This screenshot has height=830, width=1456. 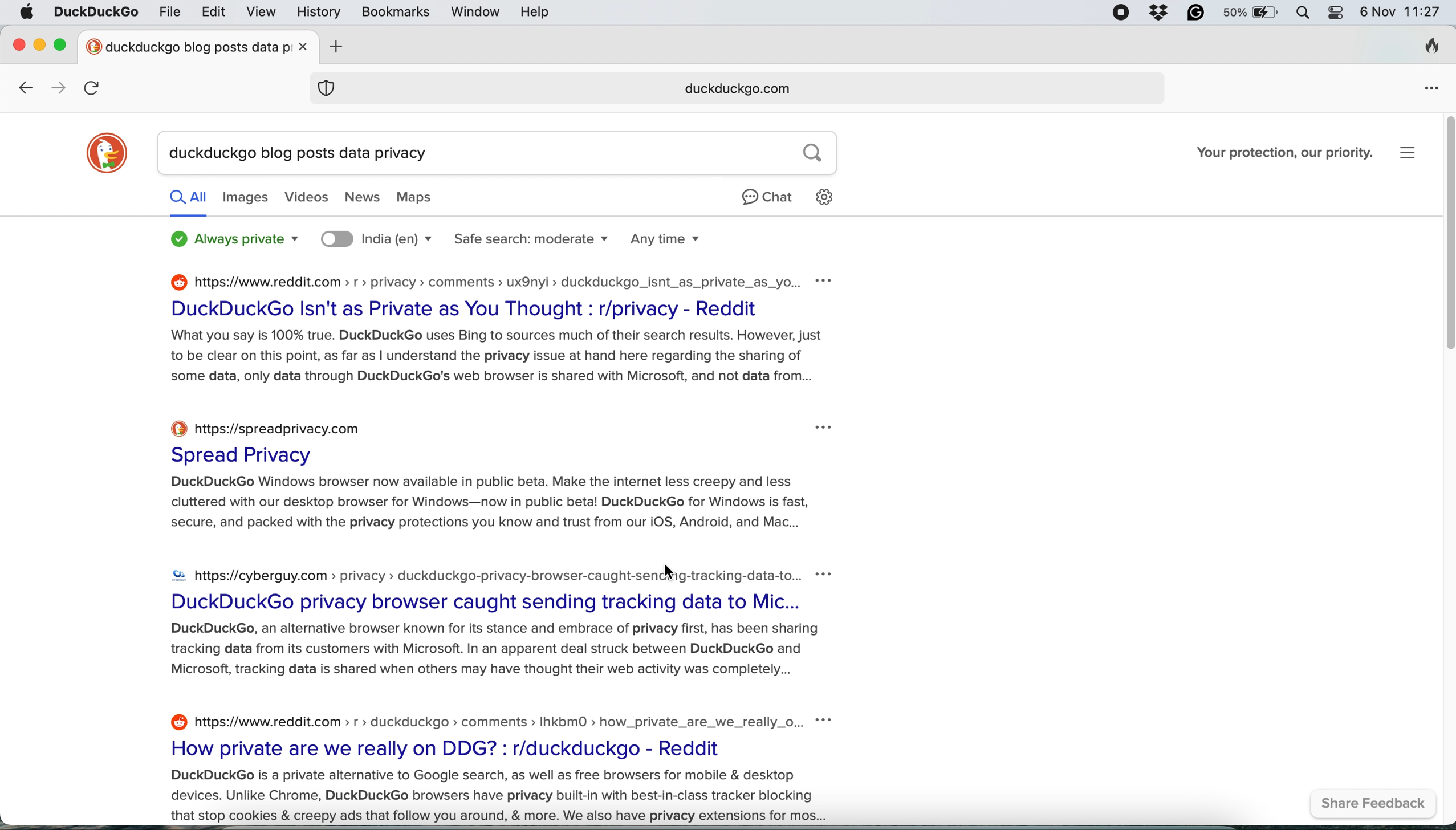 I want to click on DuckDuckGo is a private alternative to Google search, ..., so click(x=490, y=798).